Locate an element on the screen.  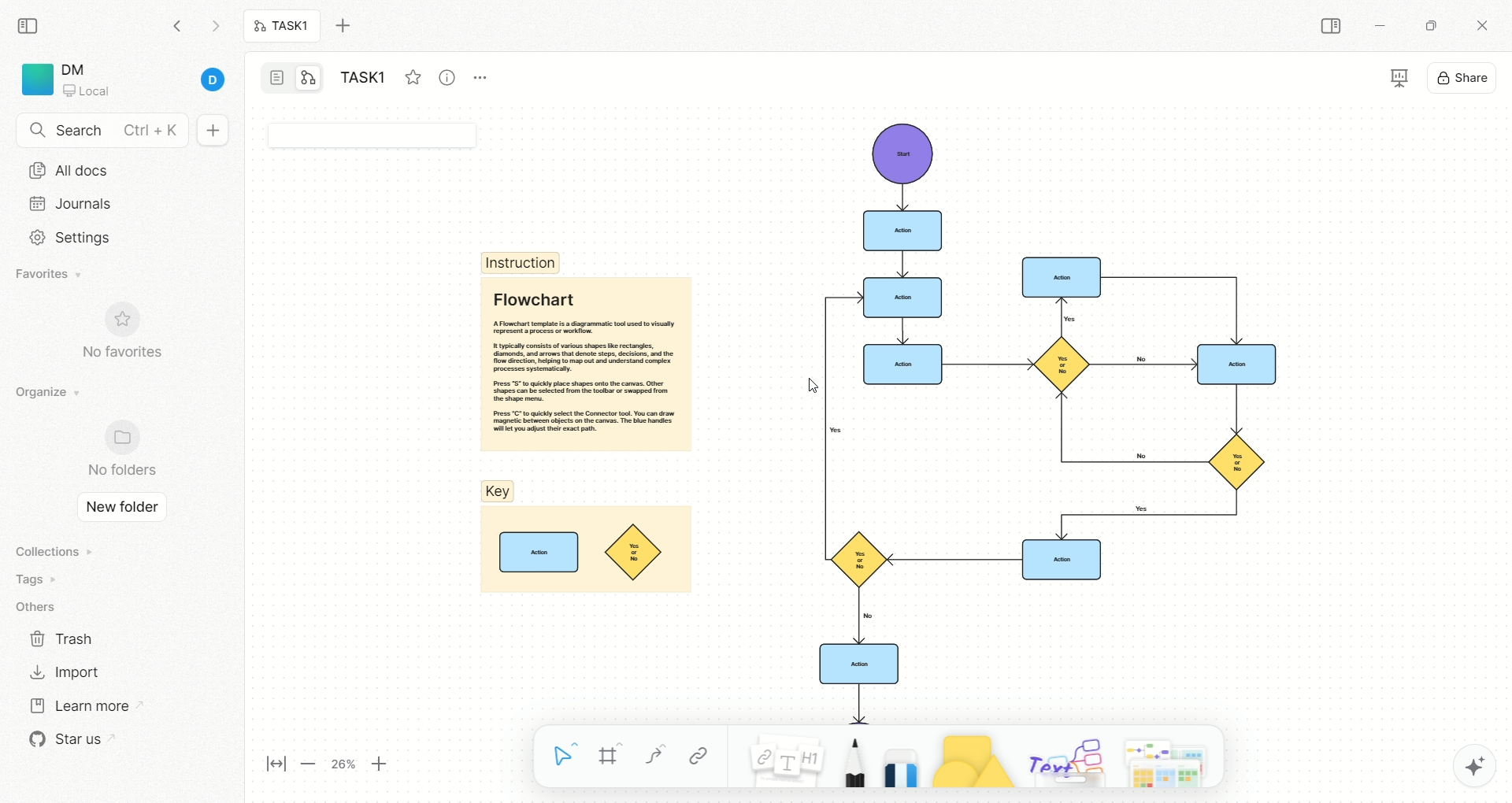
account details is located at coordinates (147, 81).